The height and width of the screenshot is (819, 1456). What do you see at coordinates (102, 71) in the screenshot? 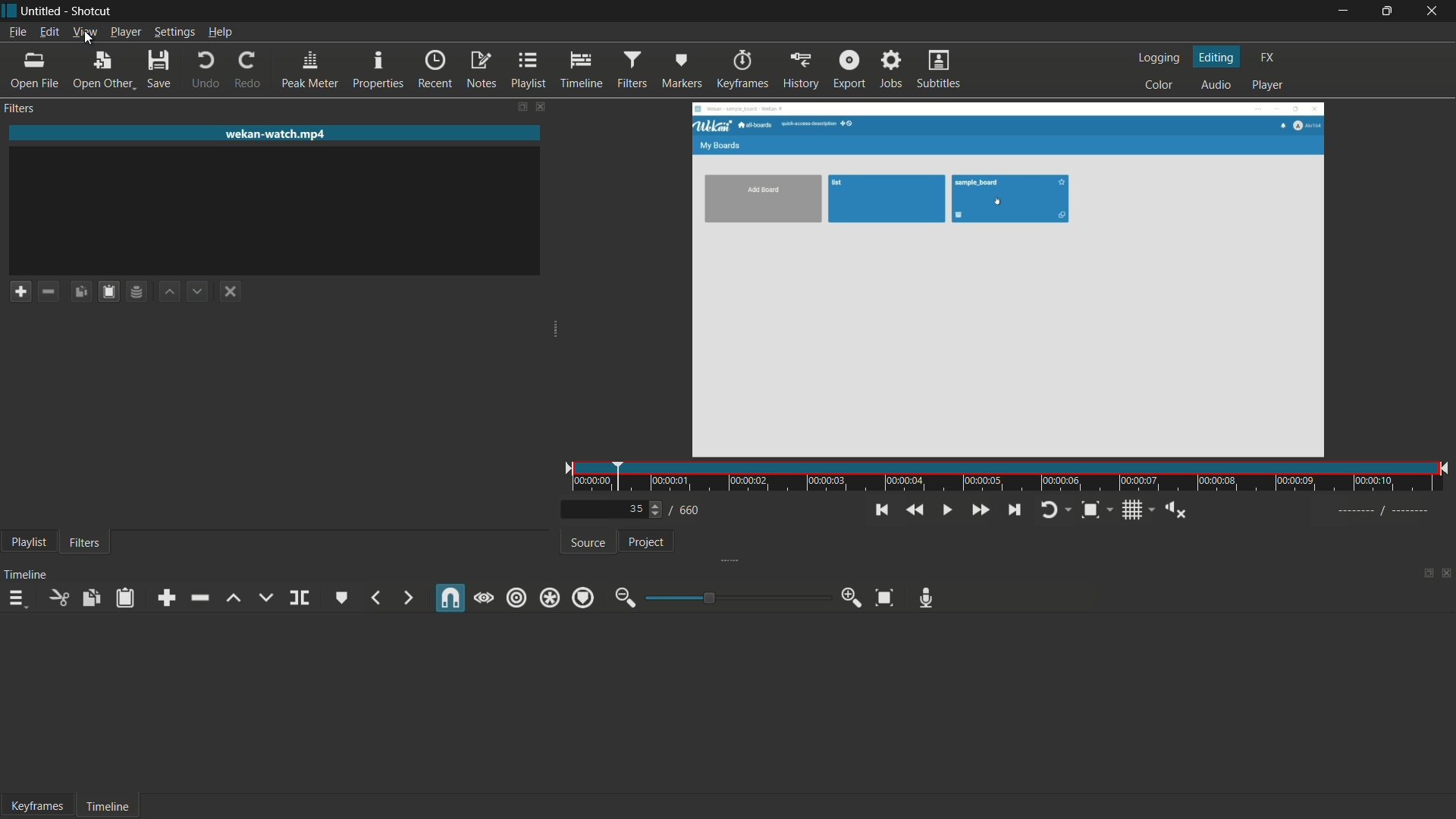
I see `open other` at bounding box center [102, 71].